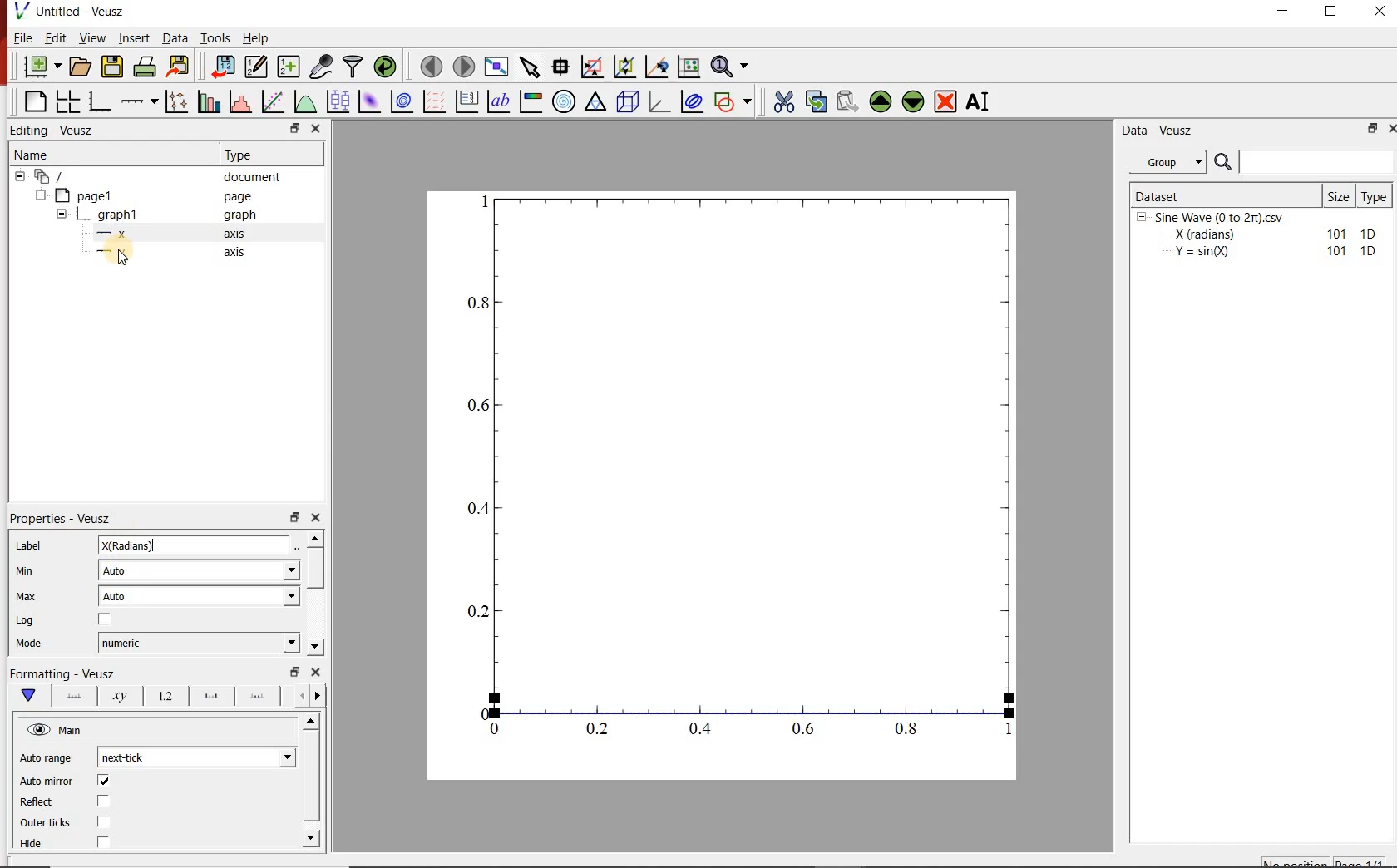 The width and height of the screenshot is (1397, 868). What do you see at coordinates (29, 644) in the screenshot?
I see `Mode` at bounding box center [29, 644].